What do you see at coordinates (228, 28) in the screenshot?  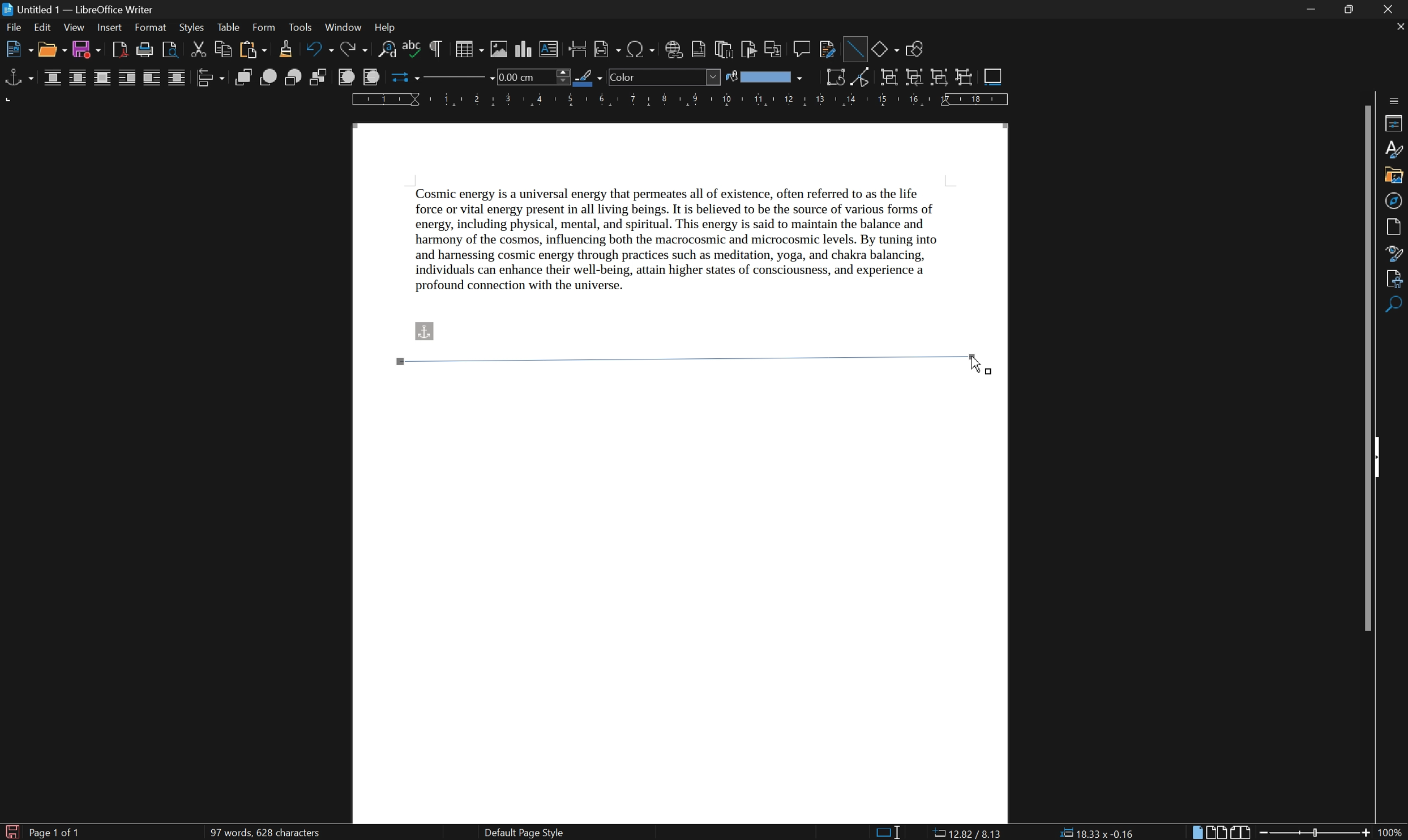 I see `table` at bounding box center [228, 28].